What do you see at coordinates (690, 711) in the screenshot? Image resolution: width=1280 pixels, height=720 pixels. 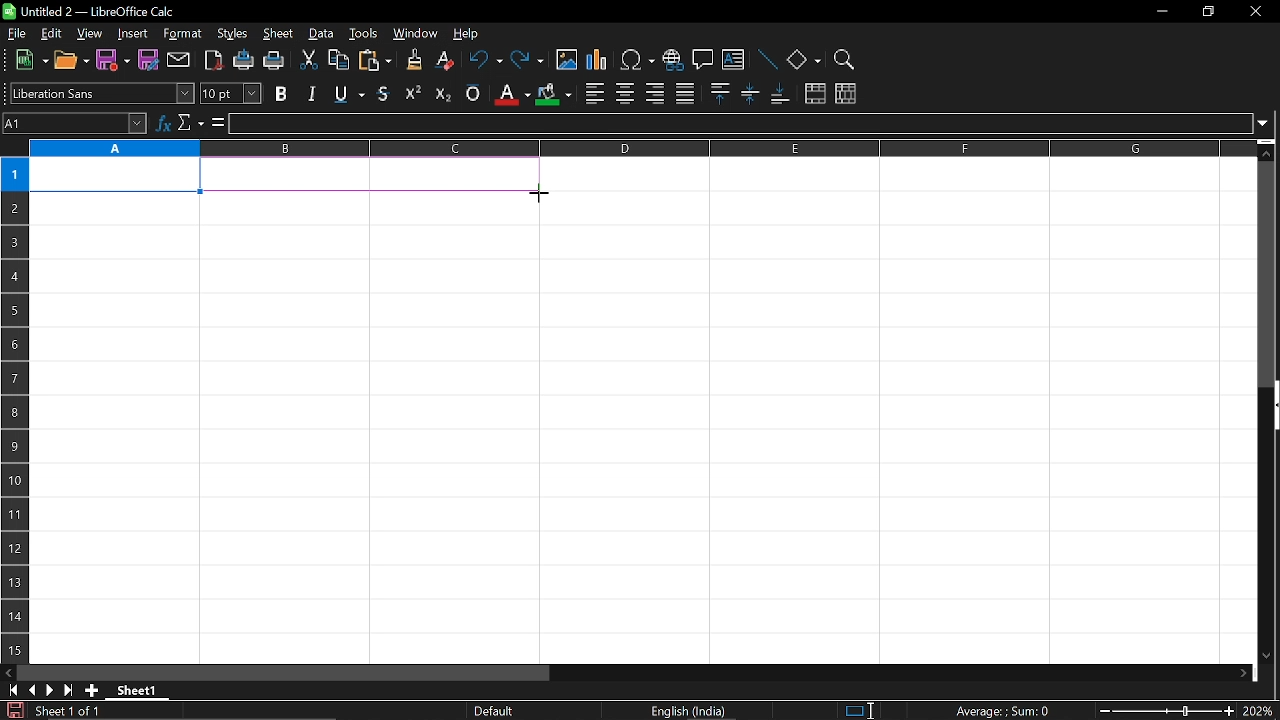 I see `English (India)` at bounding box center [690, 711].